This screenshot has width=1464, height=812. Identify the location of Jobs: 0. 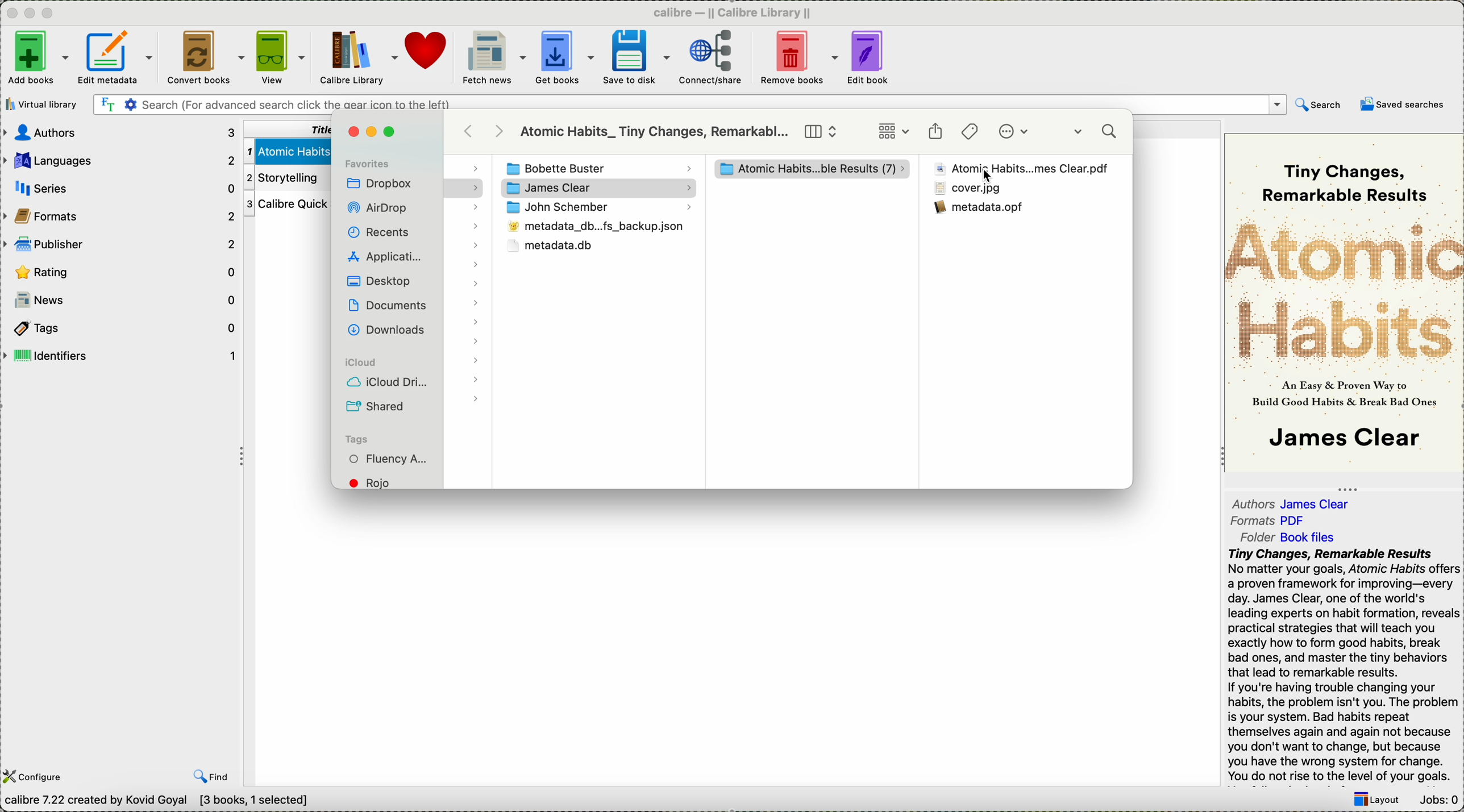
(1437, 801).